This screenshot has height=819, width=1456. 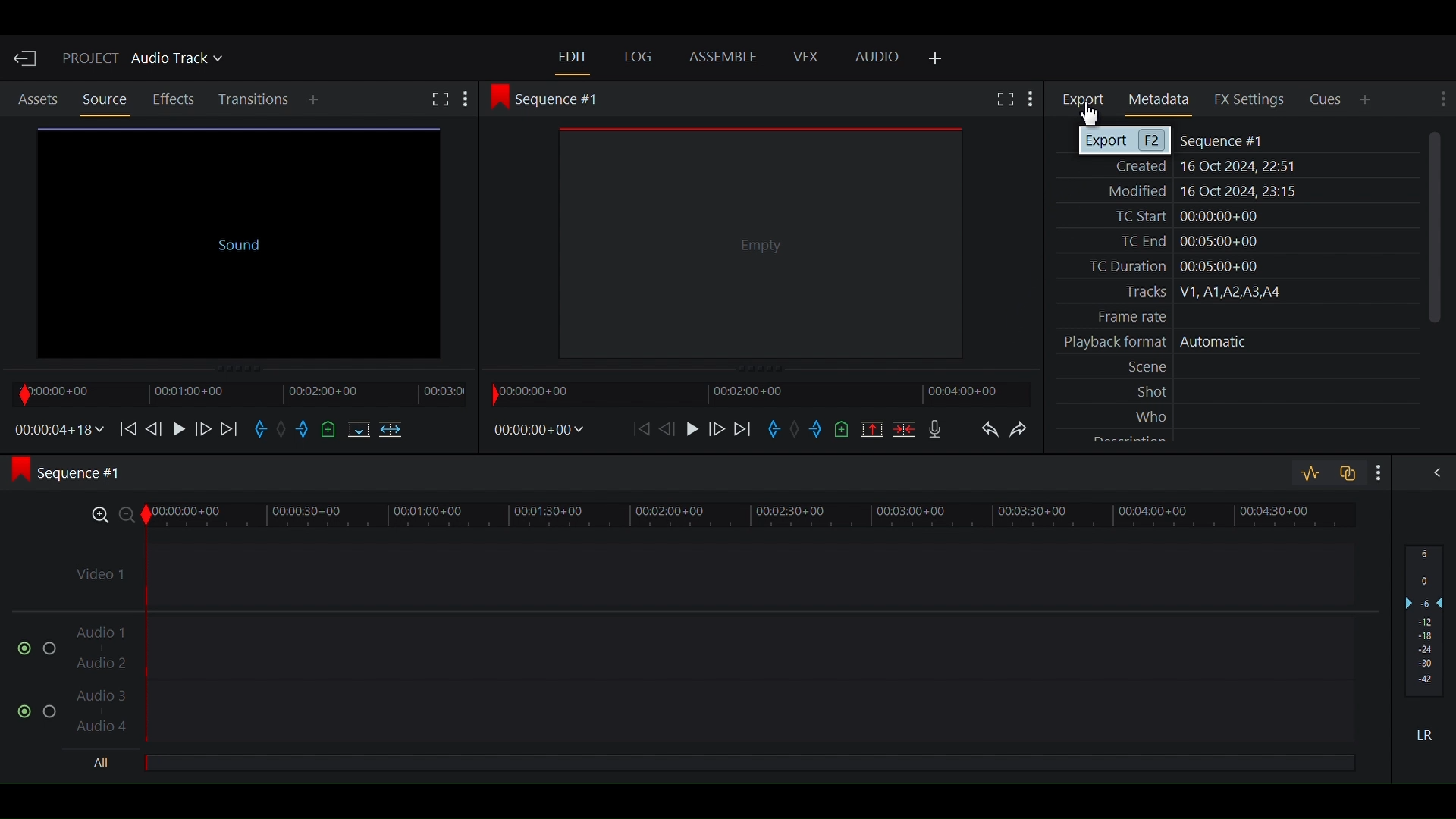 What do you see at coordinates (1162, 100) in the screenshot?
I see `Metadata` at bounding box center [1162, 100].